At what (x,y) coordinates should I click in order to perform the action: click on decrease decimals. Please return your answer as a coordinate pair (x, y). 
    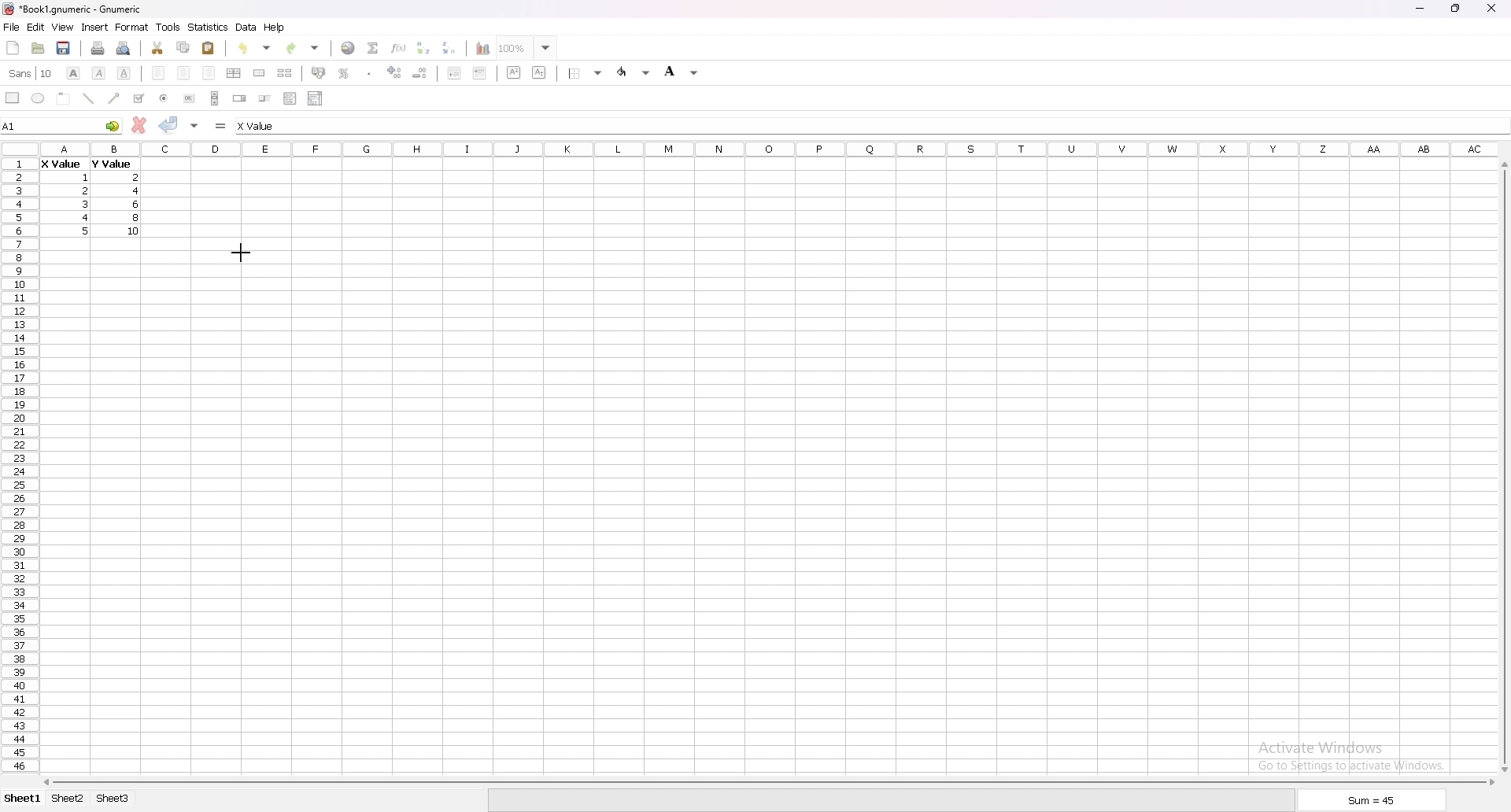
    Looking at the image, I should click on (420, 73).